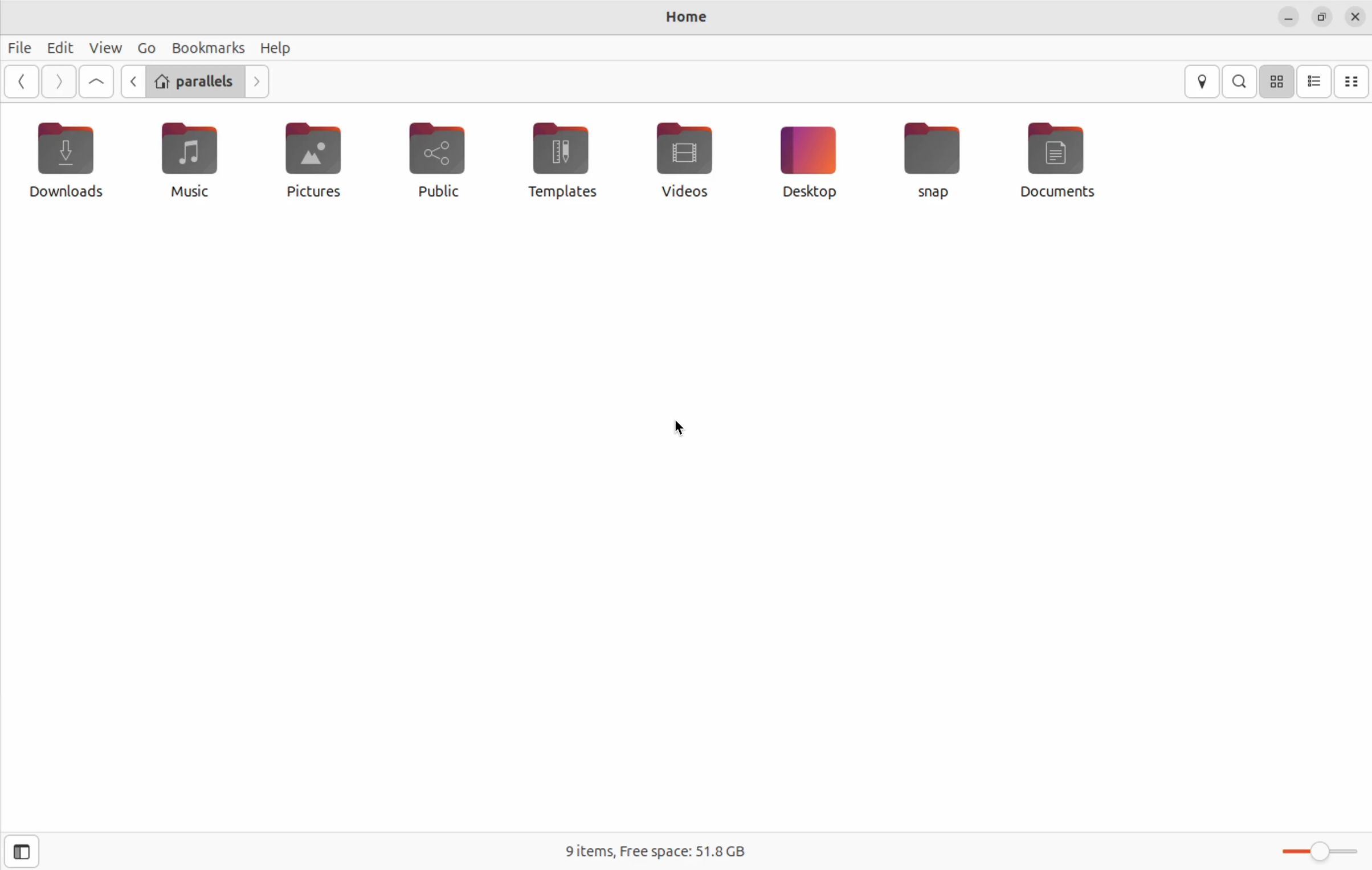  What do you see at coordinates (20, 48) in the screenshot?
I see `File` at bounding box center [20, 48].